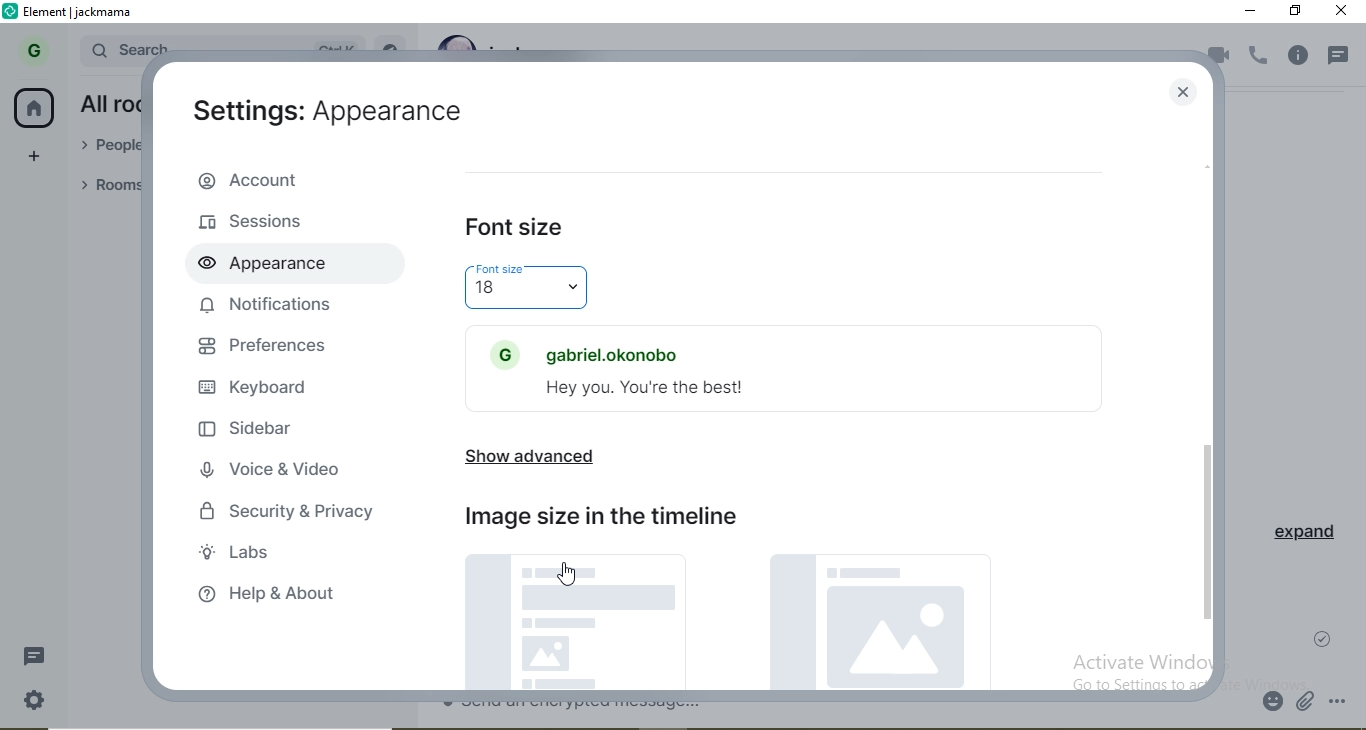 This screenshot has height=730, width=1366. Describe the element at coordinates (1297, 11) in the screenshot. I see `restore` at that location.